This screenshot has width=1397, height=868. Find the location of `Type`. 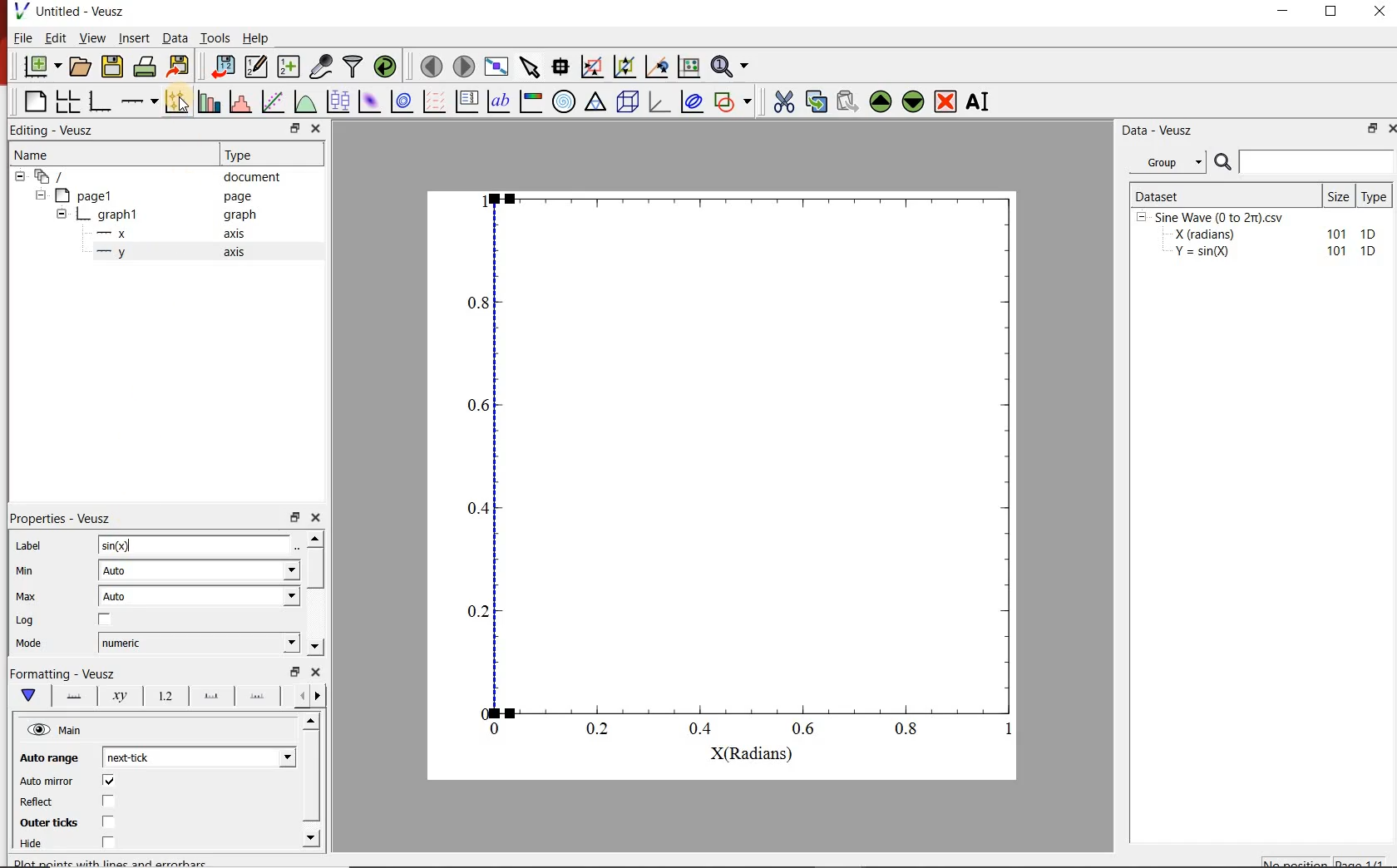

Type is located at coordinates (243, 153).